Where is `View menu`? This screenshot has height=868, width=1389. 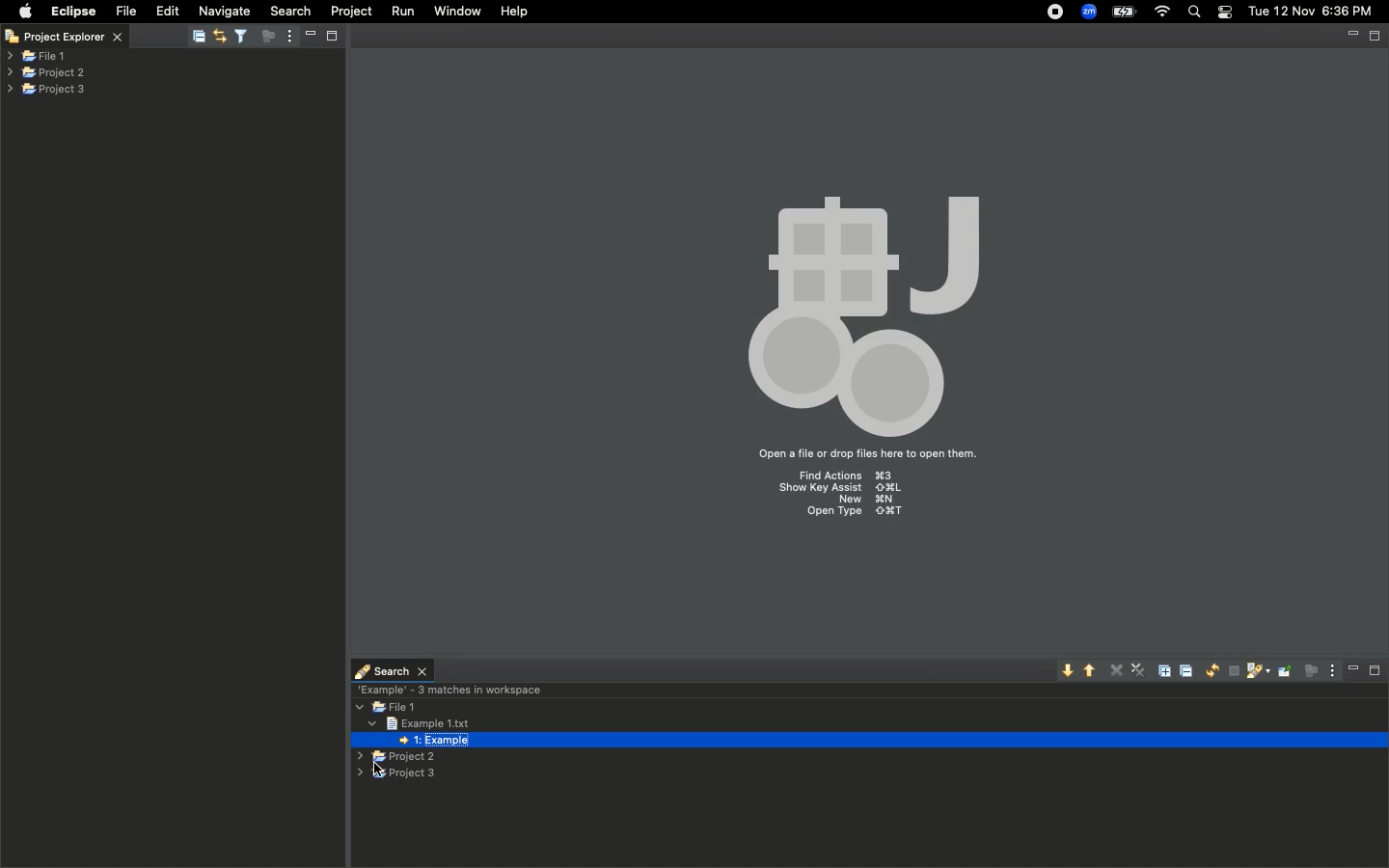 View menu is located at coordinates (1329, 670).